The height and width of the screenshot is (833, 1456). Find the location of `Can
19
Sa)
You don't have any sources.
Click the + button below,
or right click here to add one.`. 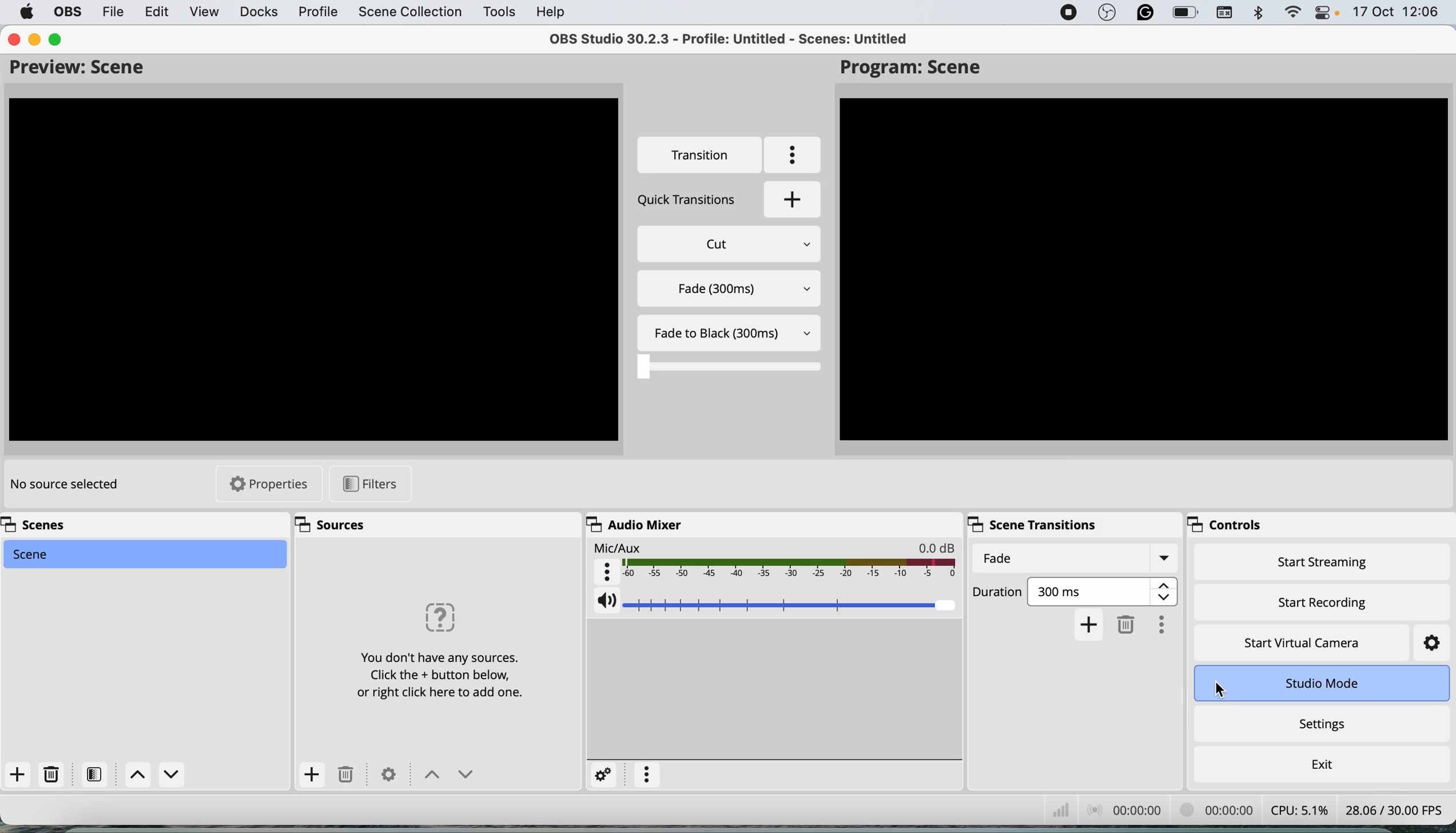

Can
19
Sa)
You don't have any sources.
Click the + button below,
or right click here to add one. is located at coordinates (425, 649).